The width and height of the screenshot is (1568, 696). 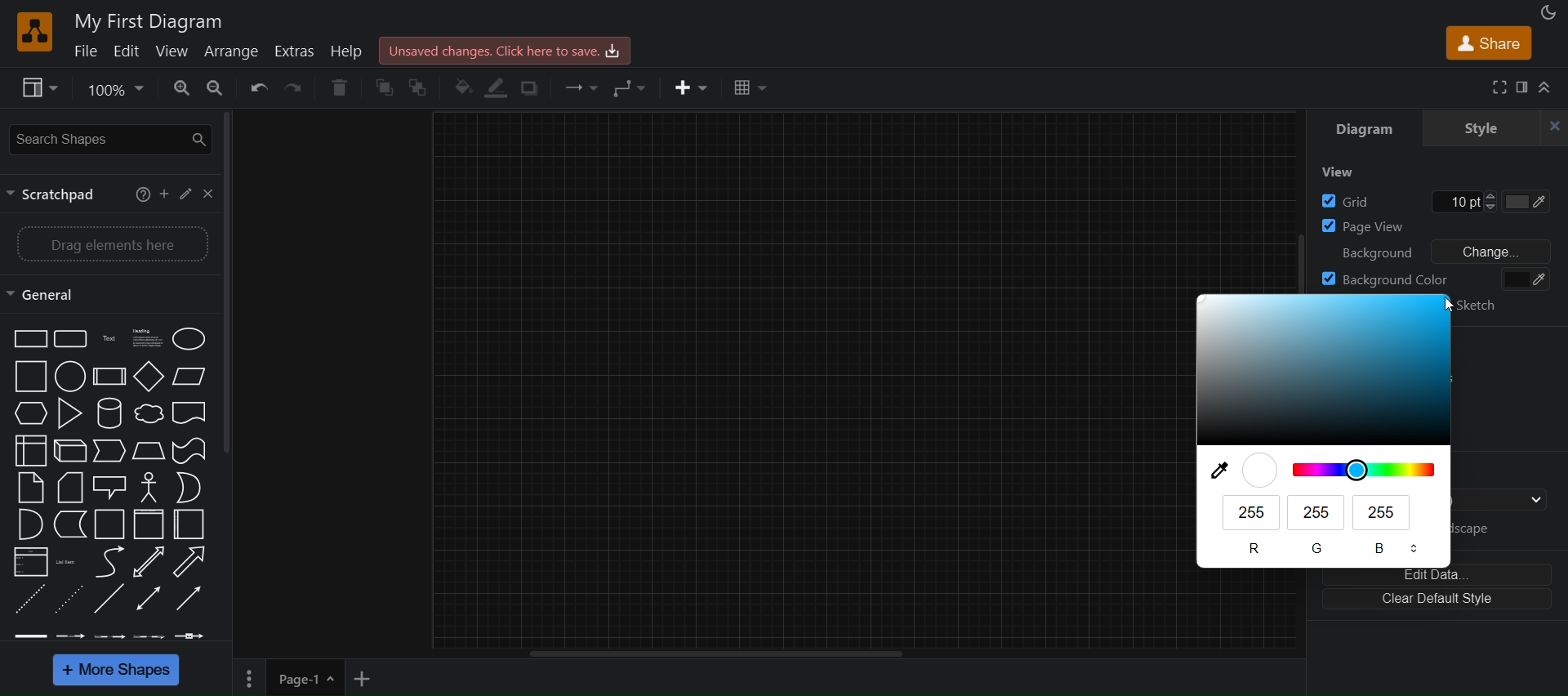 I want to click on logo, so click(x=35, y=30).